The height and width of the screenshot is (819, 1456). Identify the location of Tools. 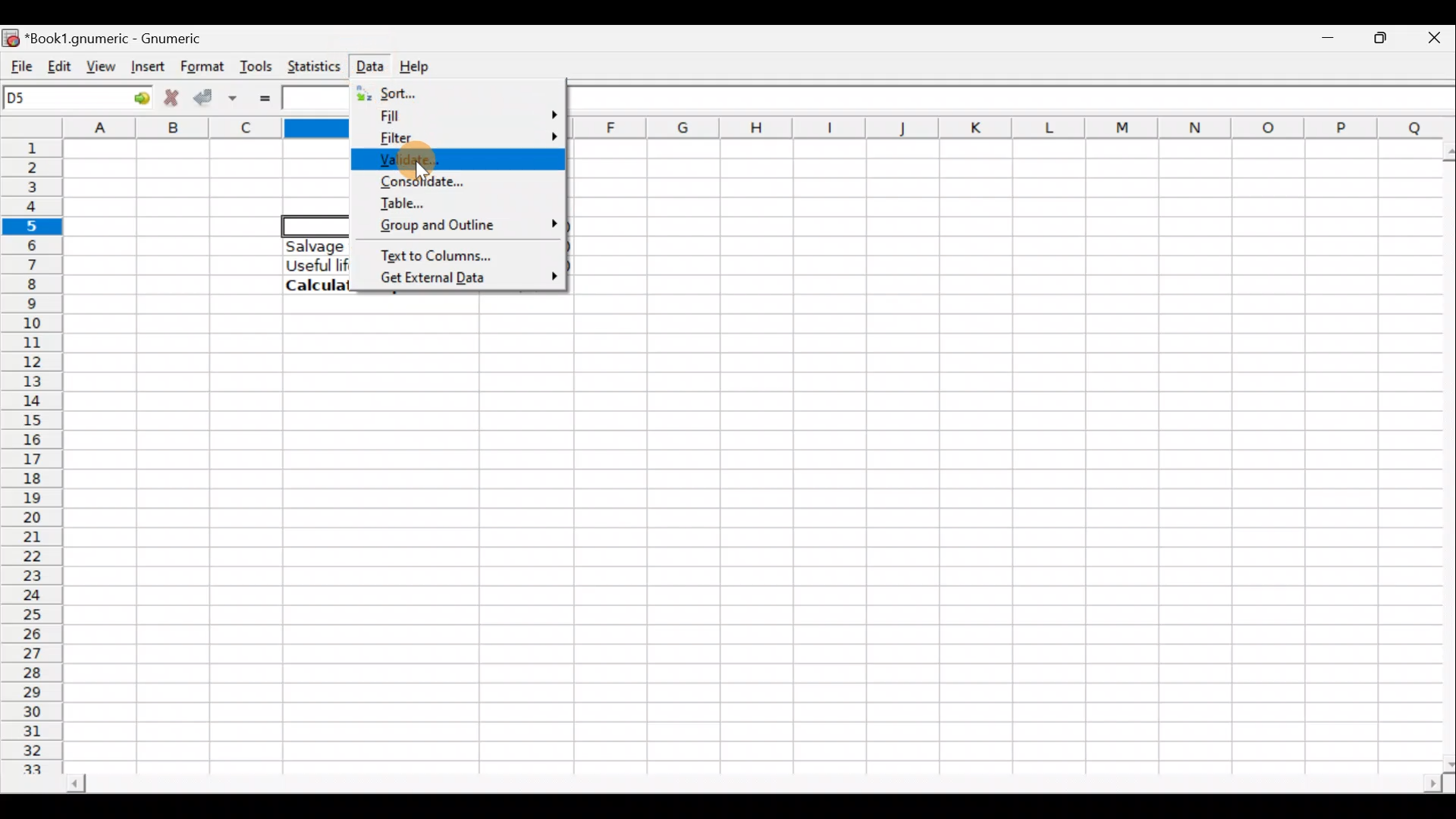
(256, 65).